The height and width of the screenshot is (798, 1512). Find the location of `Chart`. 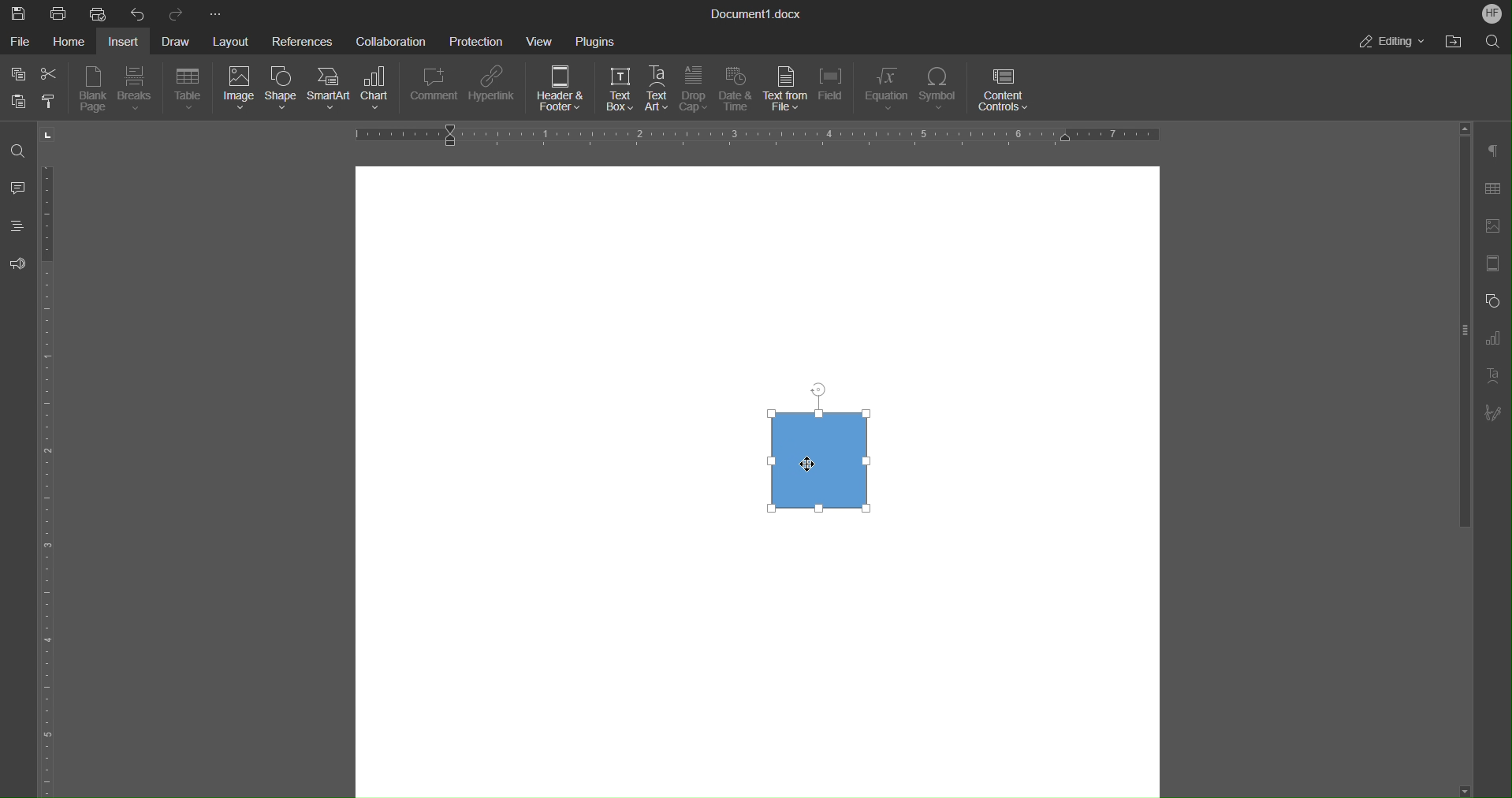

Chart is located at coordinates (382, 91).